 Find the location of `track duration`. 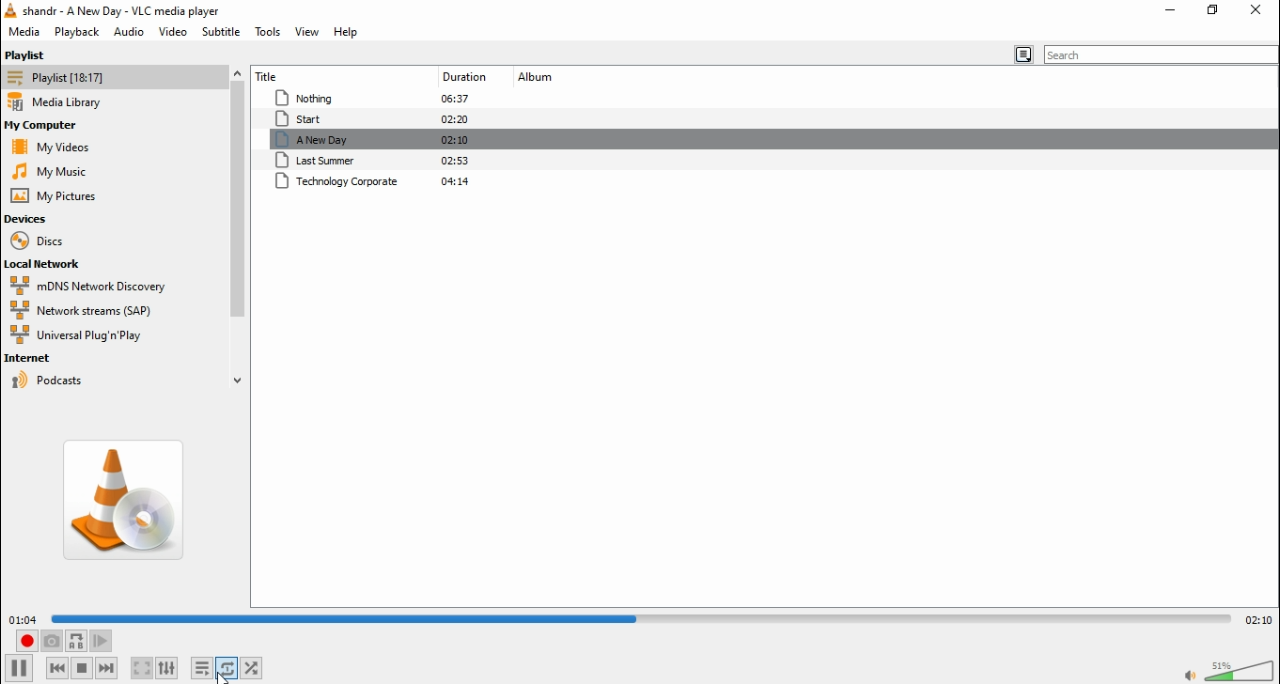

track duration is located at coordinates (460, 77).